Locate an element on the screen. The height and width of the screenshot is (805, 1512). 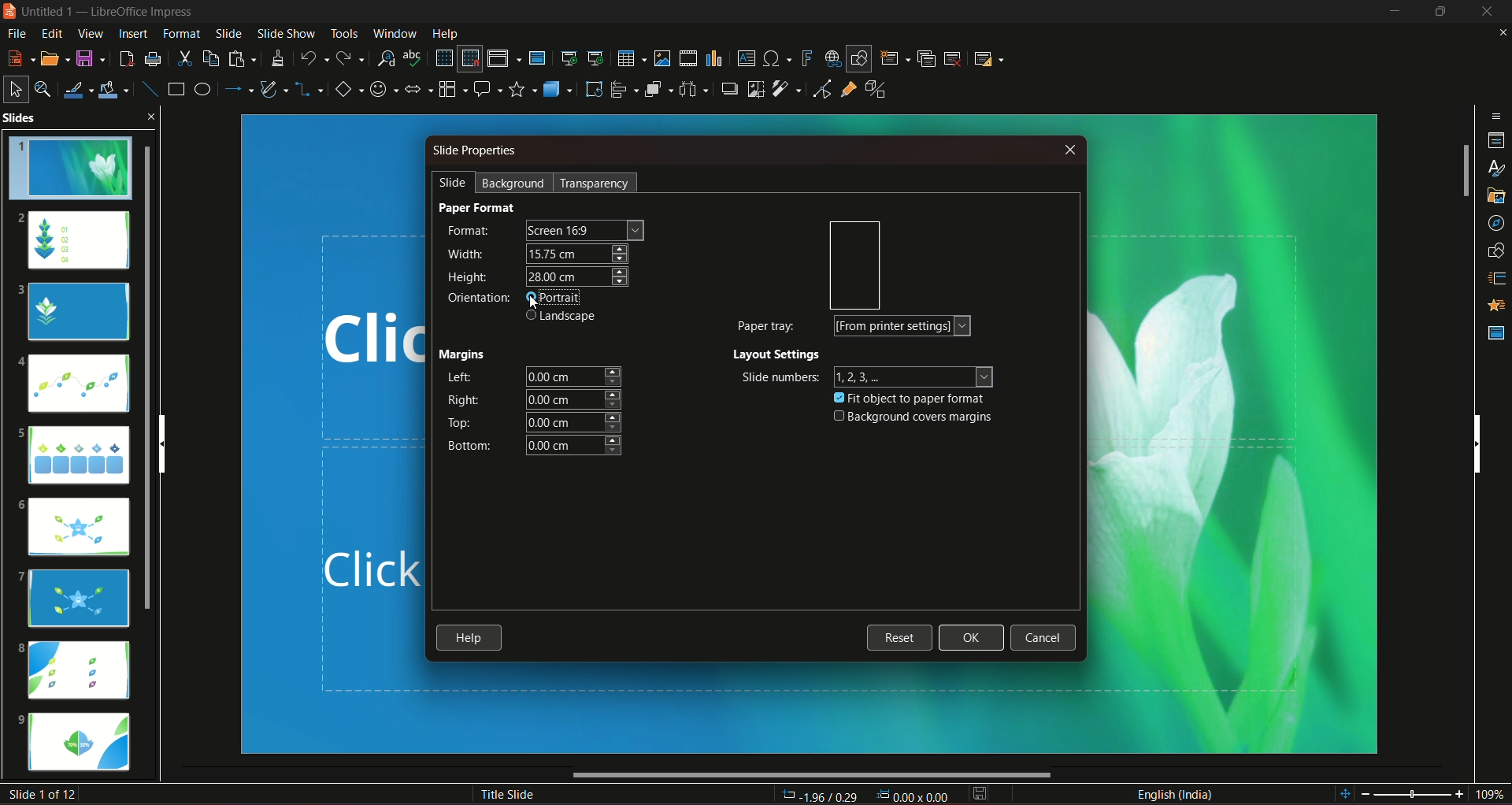
find and replace is located at coordinates (386, 57).